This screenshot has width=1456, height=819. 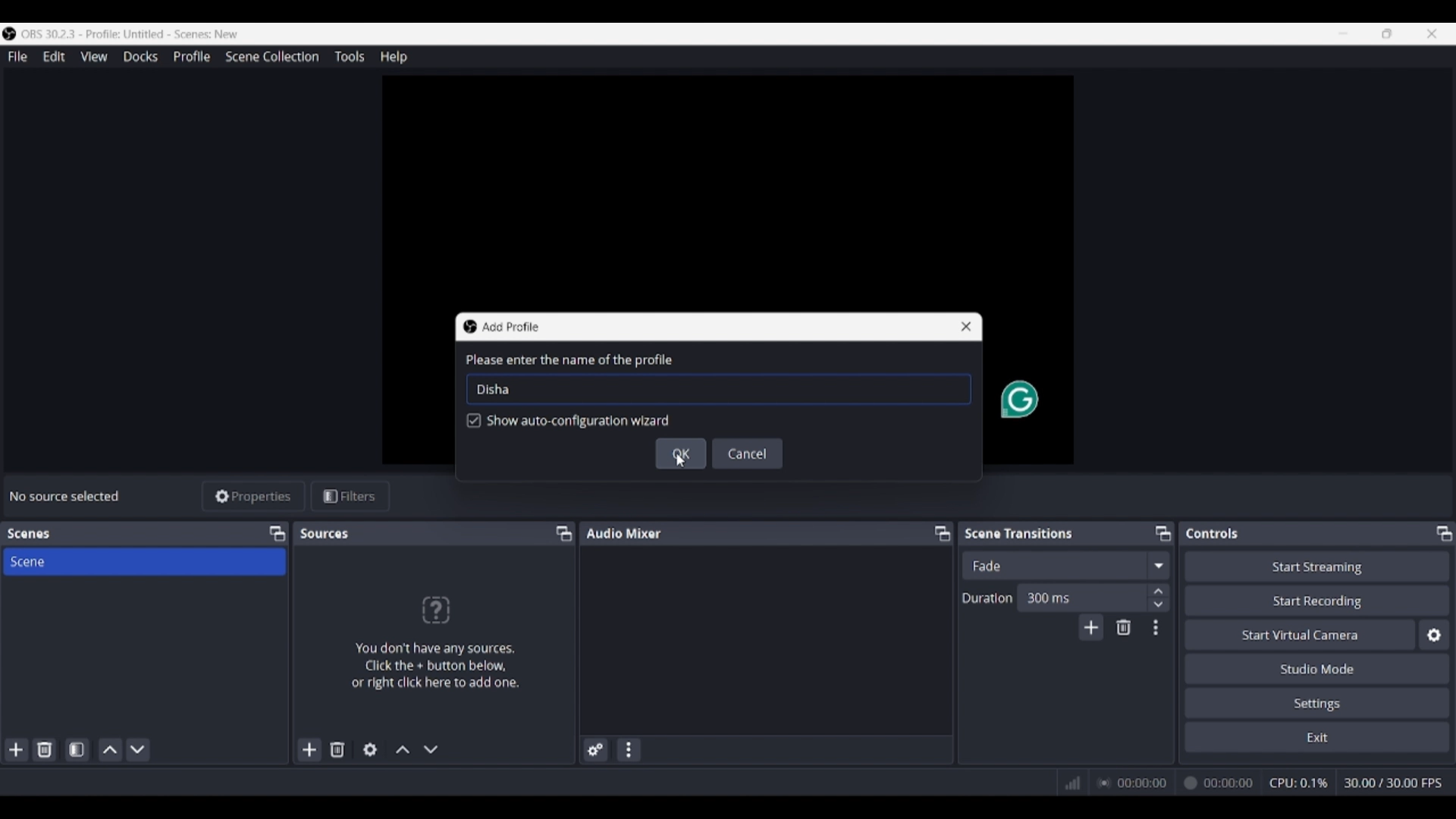 I want to click on Frames per second, so click(x=1393, y=783).